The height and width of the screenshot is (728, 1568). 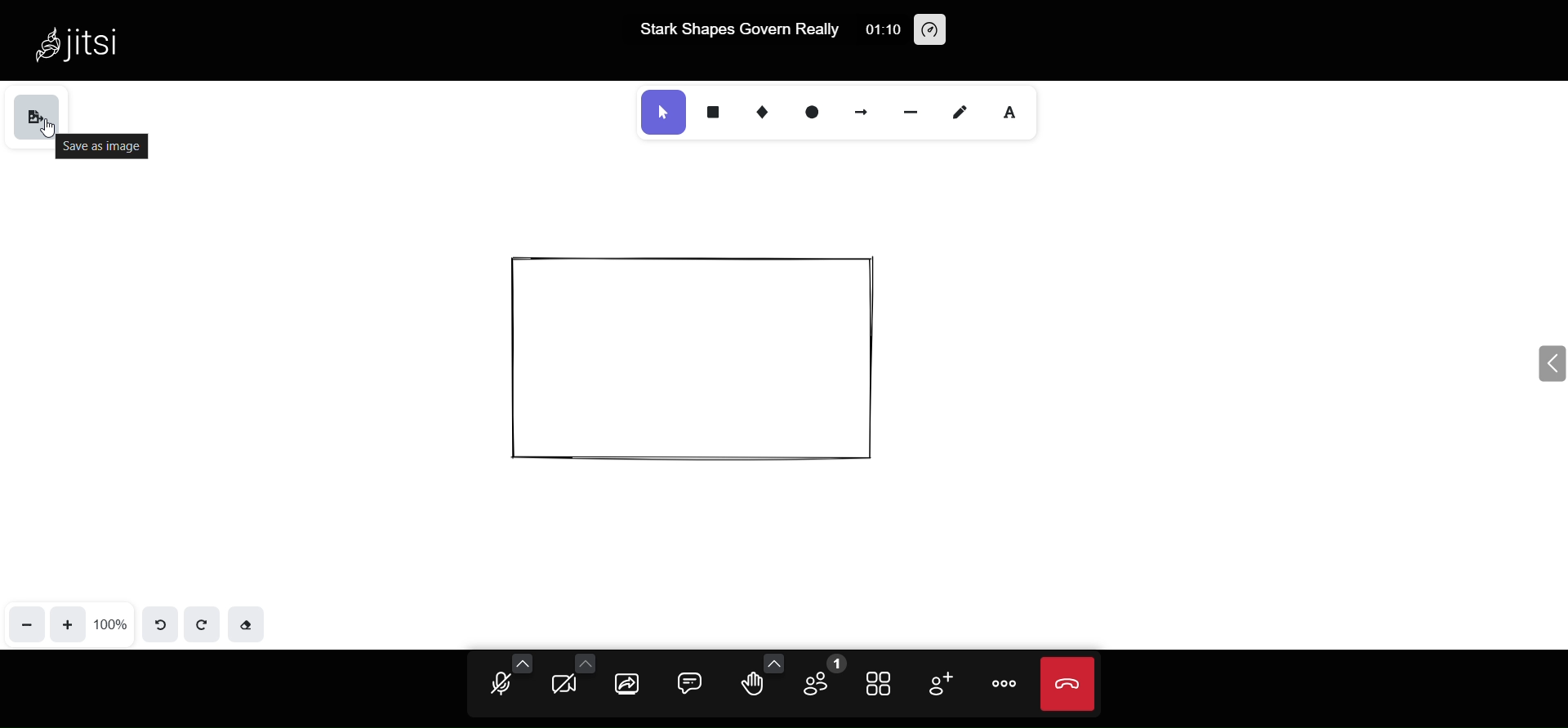 What do you see at coordinates (42, 115) in the screenshot?
I see `save as image` at bounding box center [42, 115].